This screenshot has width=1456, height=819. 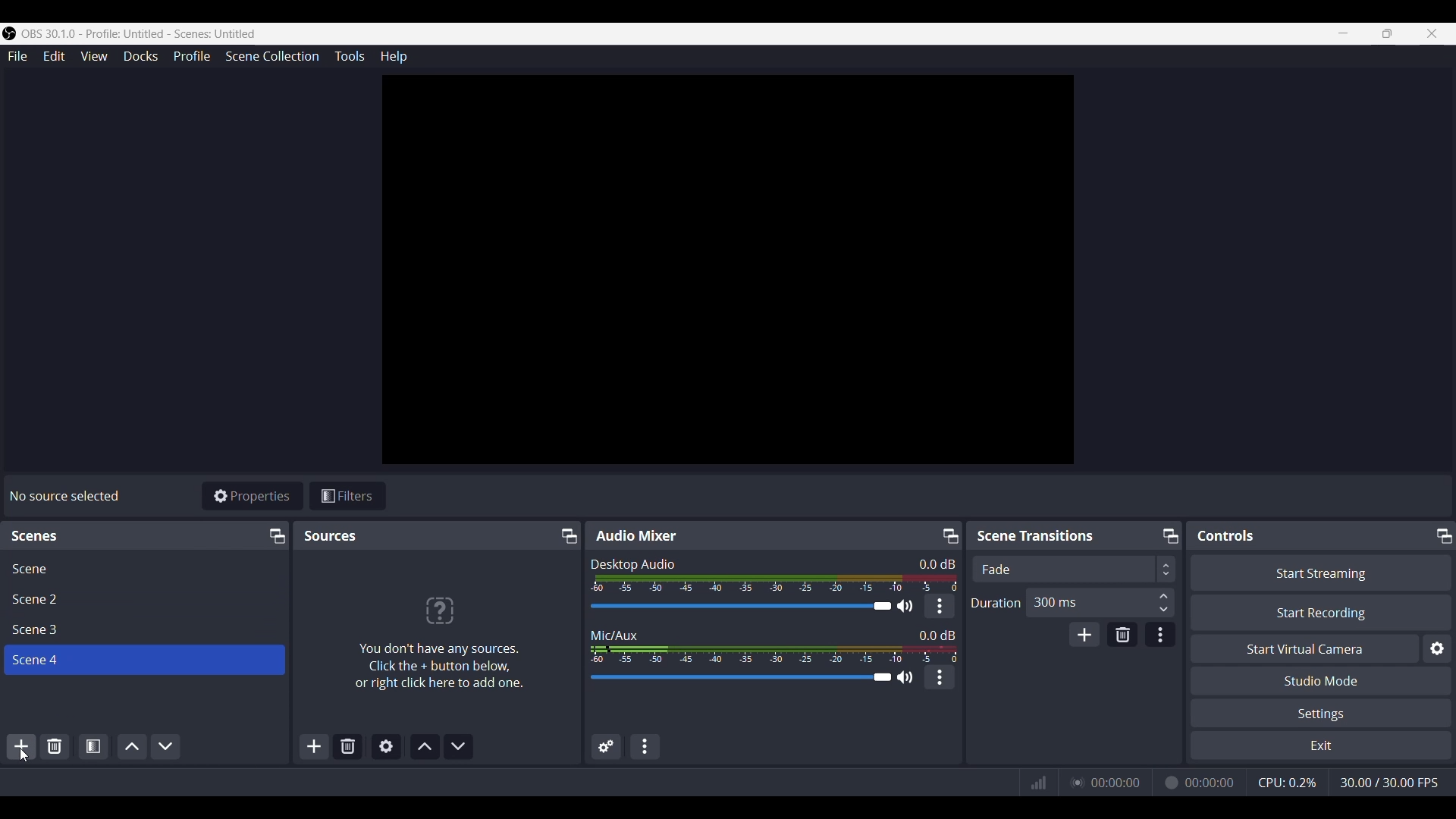 I want to click on File Preview, so click(x=729, y=270).